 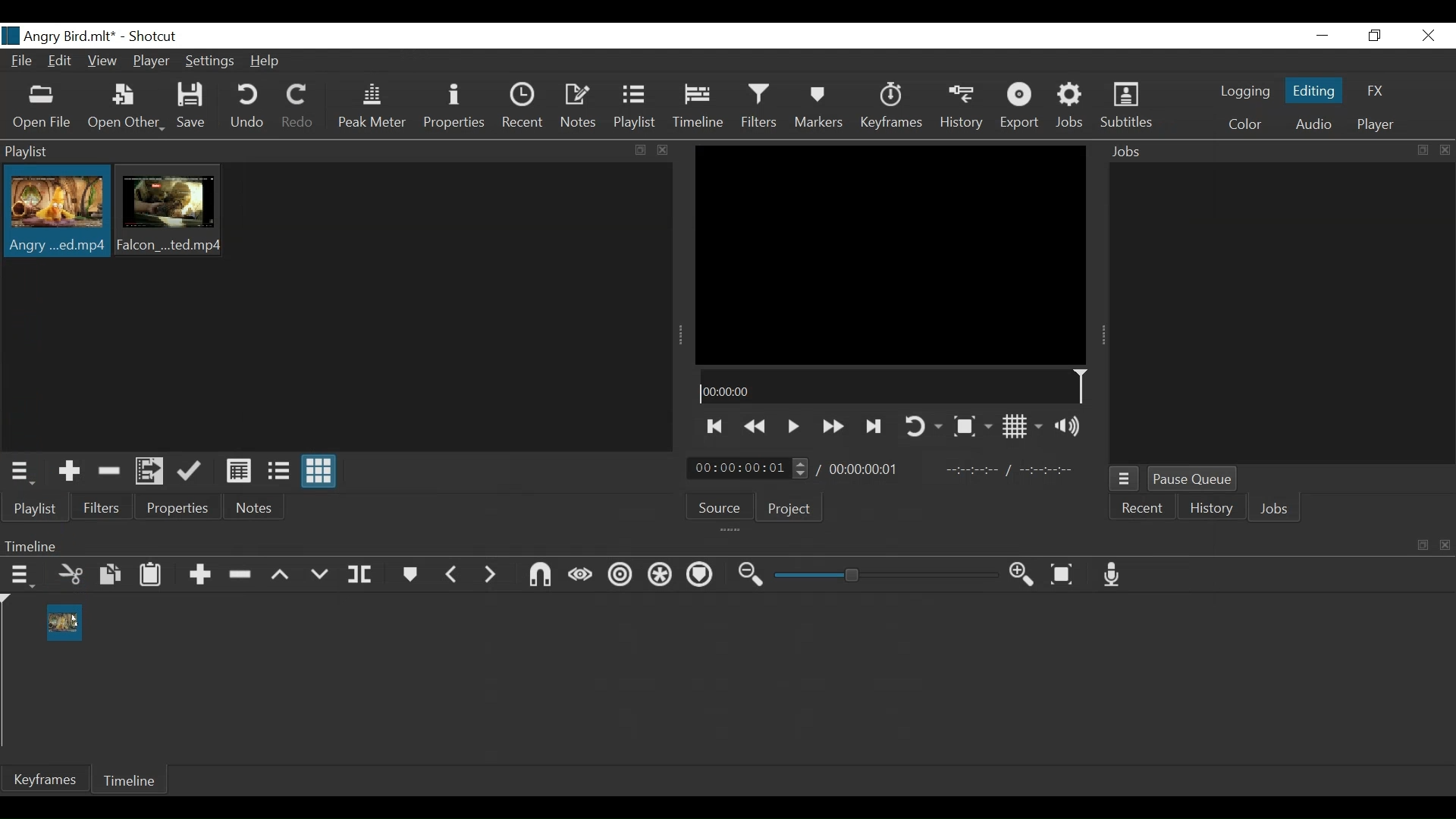 What do you see at coordinates (1377, 125) in the screenshot?
I see `Player` at bounding box center [1377, 125].